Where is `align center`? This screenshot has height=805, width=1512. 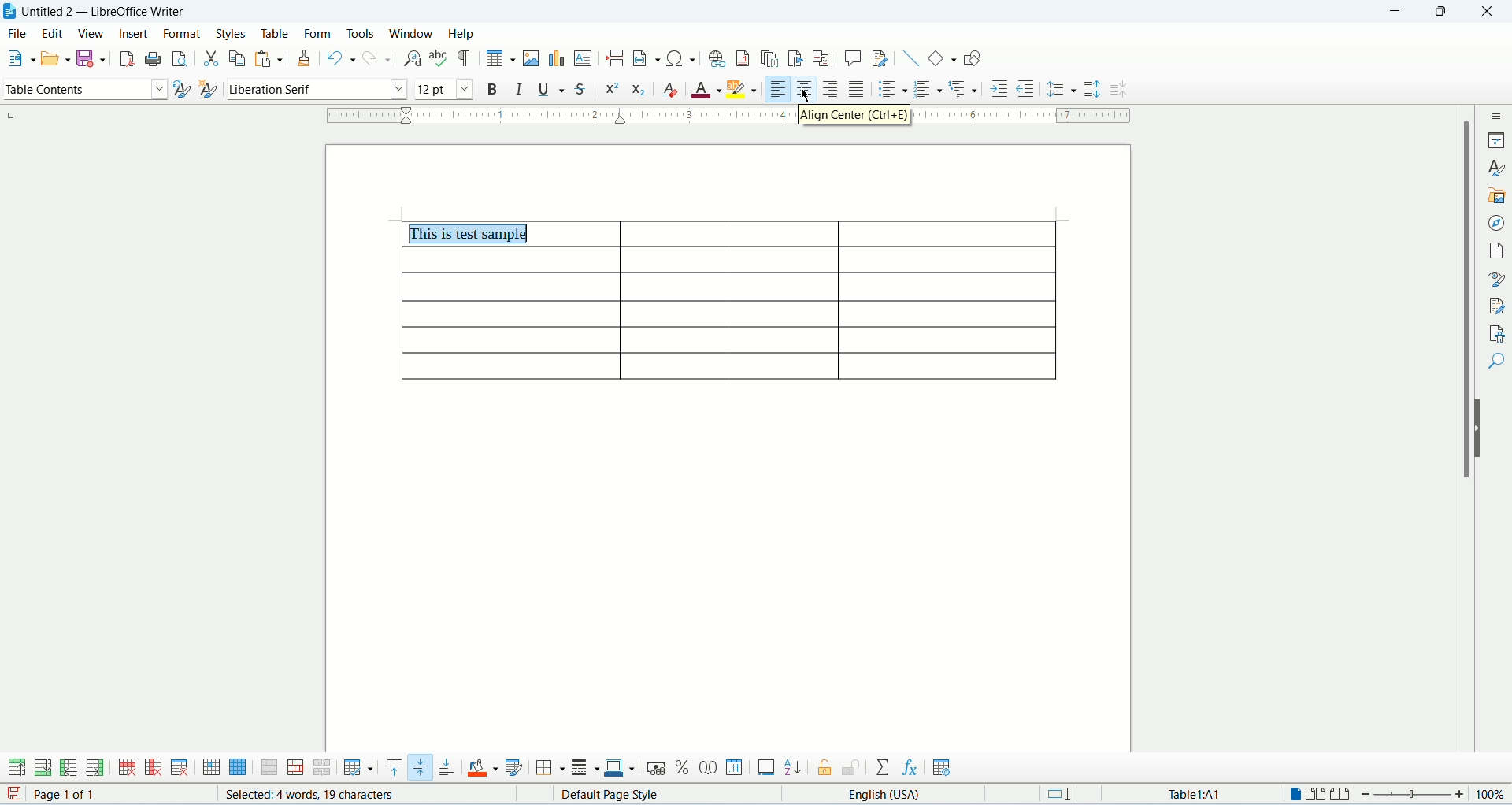 align center is located at coordinates (807, 89).